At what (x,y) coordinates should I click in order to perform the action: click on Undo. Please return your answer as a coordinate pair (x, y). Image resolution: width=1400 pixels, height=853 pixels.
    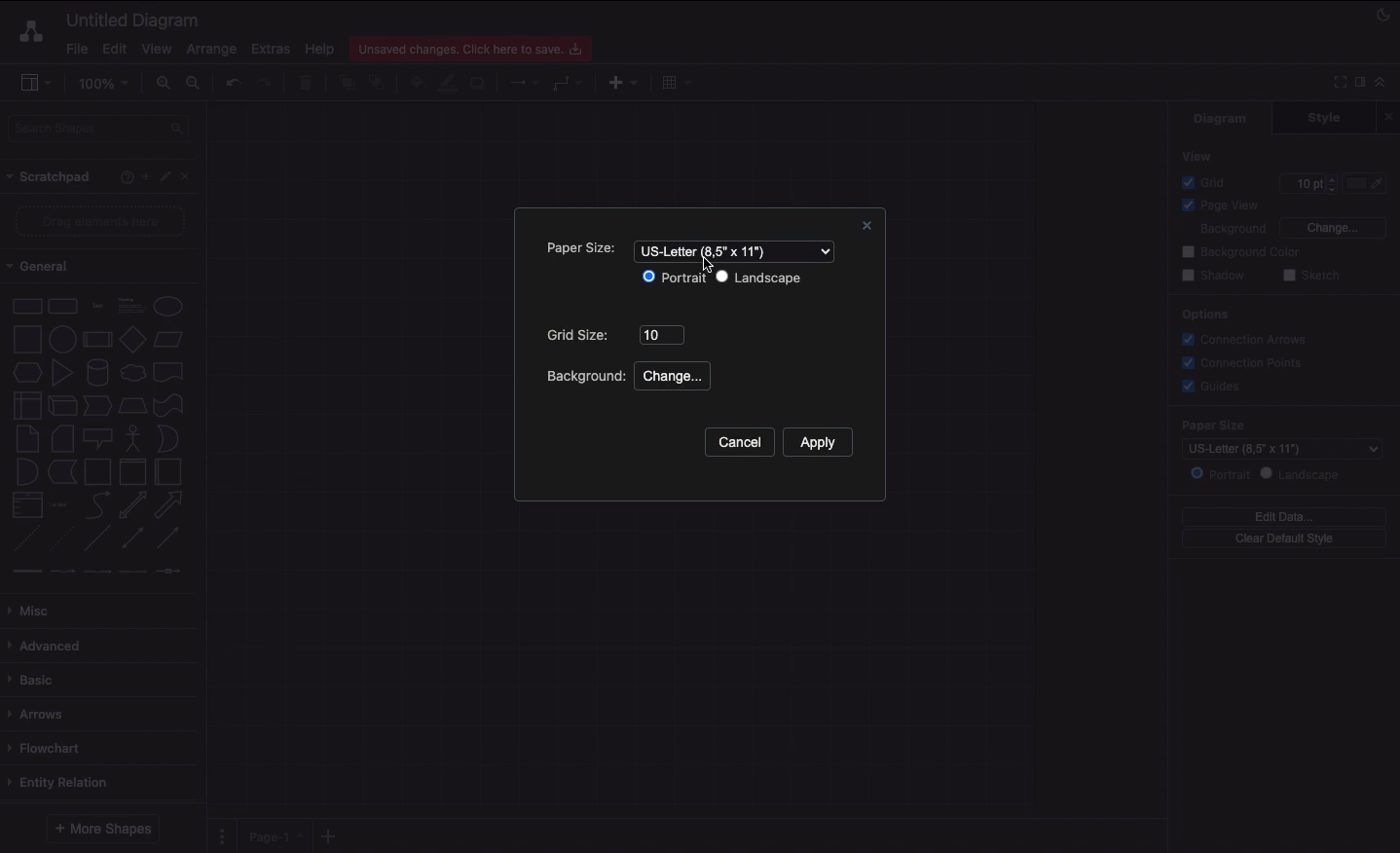
    Looking at the image, I should click on (232, 82).